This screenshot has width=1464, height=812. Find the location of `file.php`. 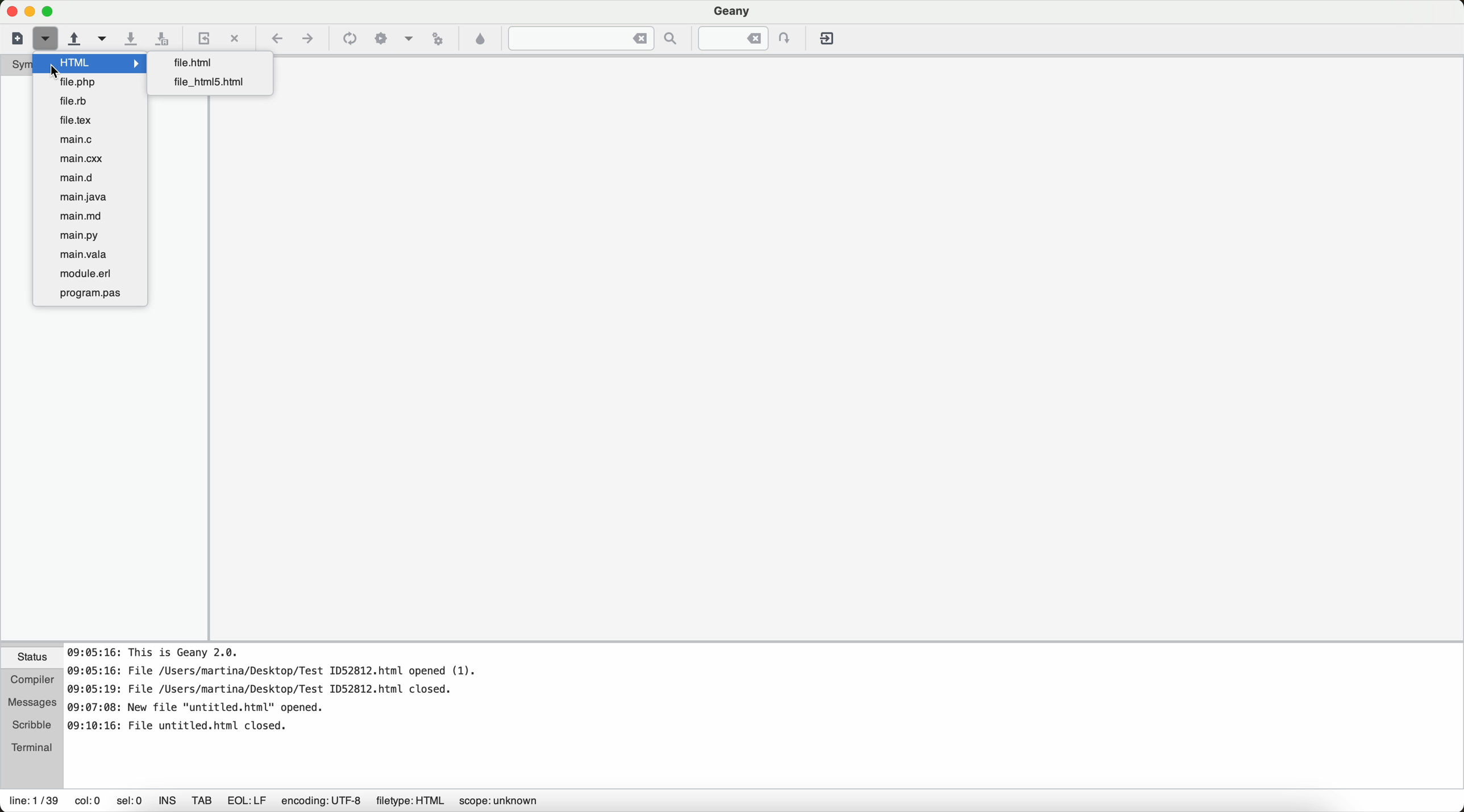

file.php is located at coordinates (90, 85).